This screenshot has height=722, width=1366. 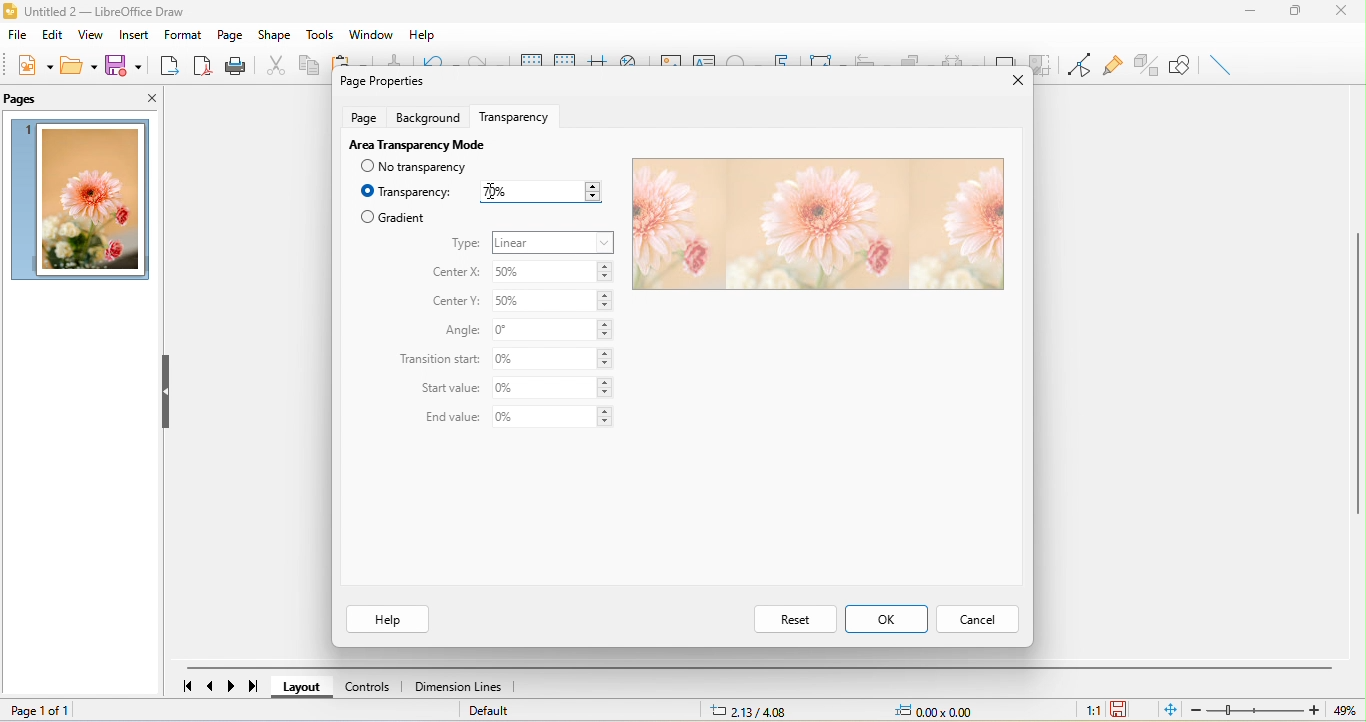 What do you see at coordinates (380, 80) in the screenshot?
I see `page properties` at bounding box center [380, 80].